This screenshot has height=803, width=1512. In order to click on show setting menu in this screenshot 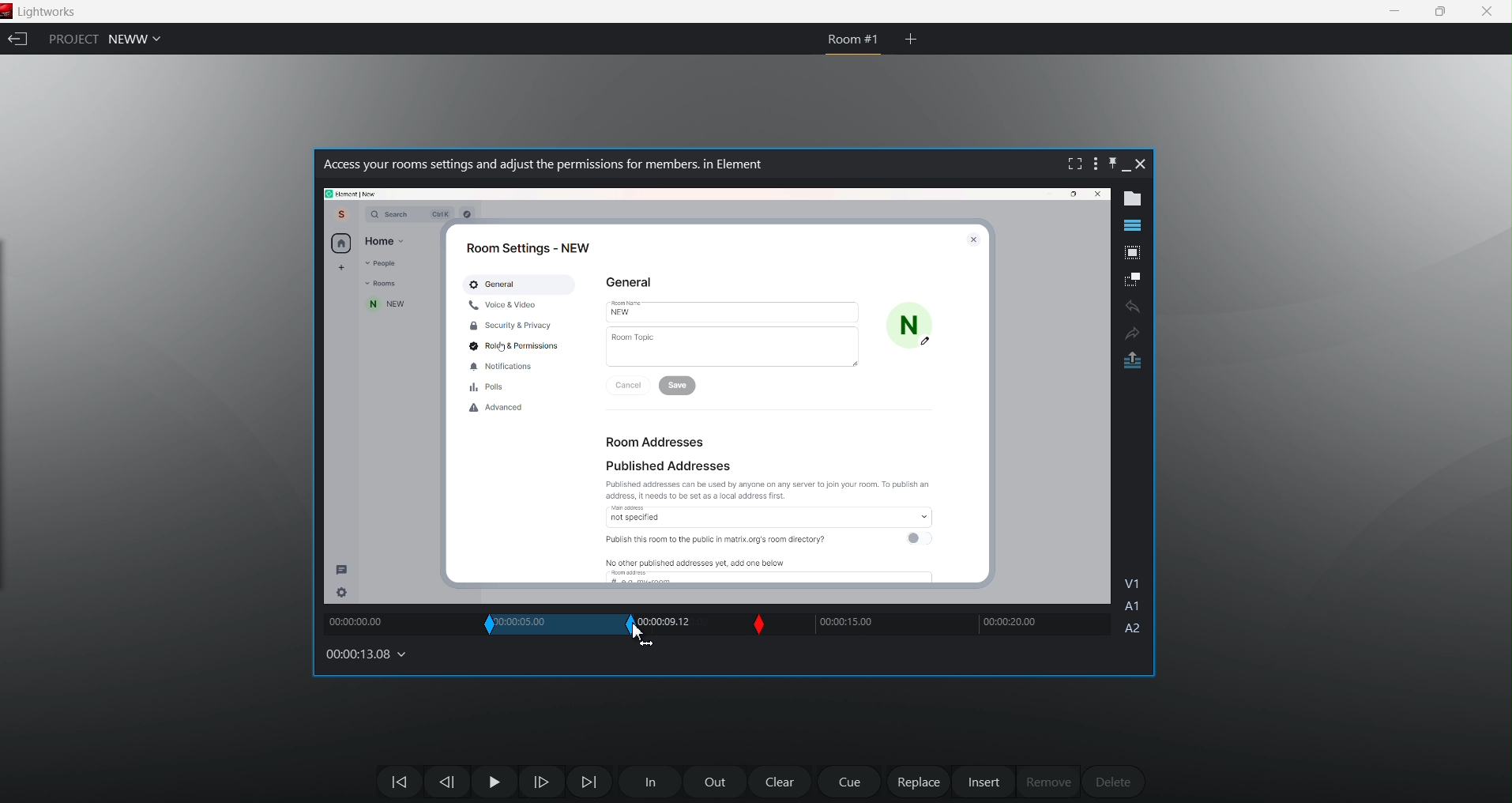, I will do `click(1100, 161)`.